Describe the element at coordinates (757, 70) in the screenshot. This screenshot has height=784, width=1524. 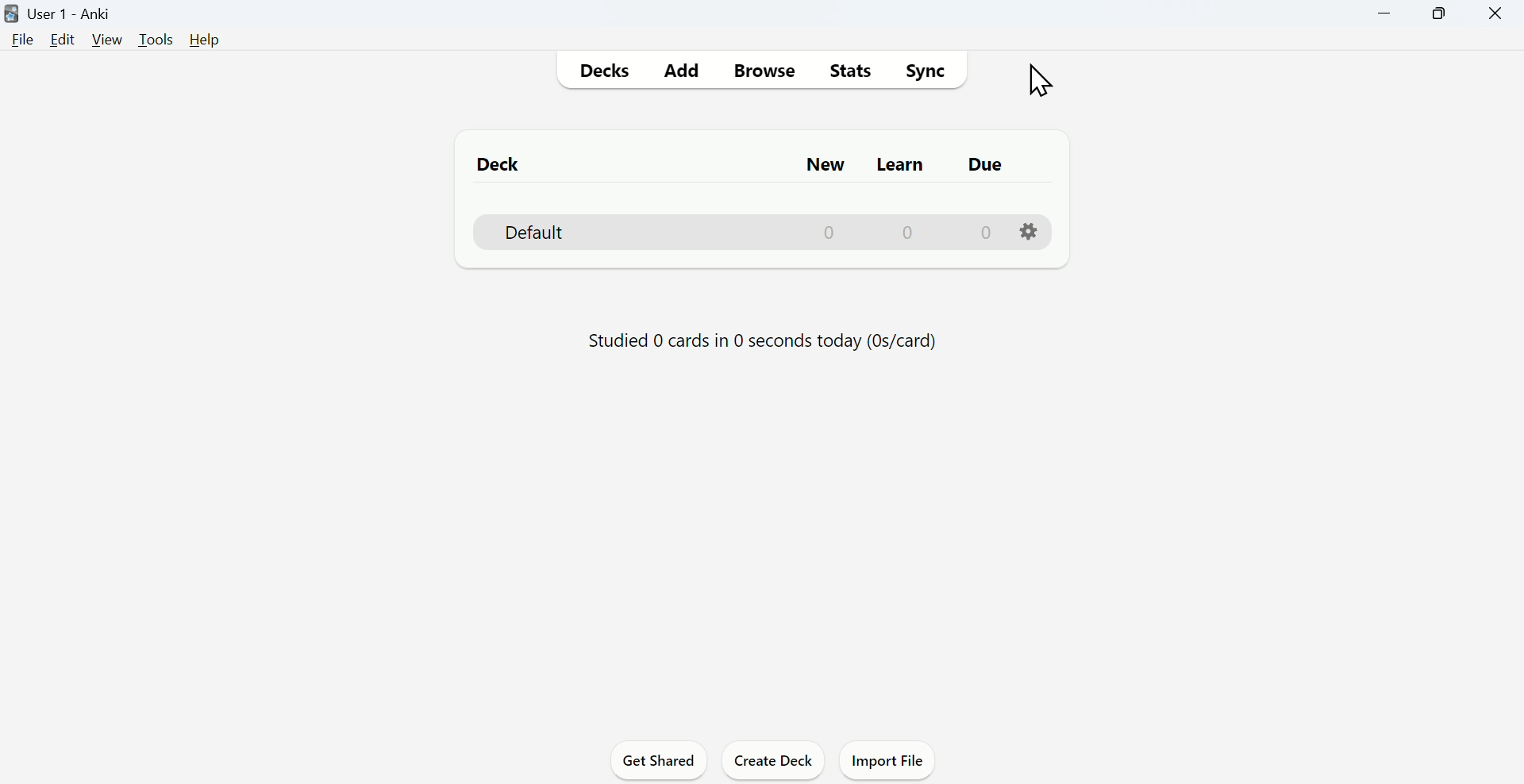
I see `Browse` at that location.